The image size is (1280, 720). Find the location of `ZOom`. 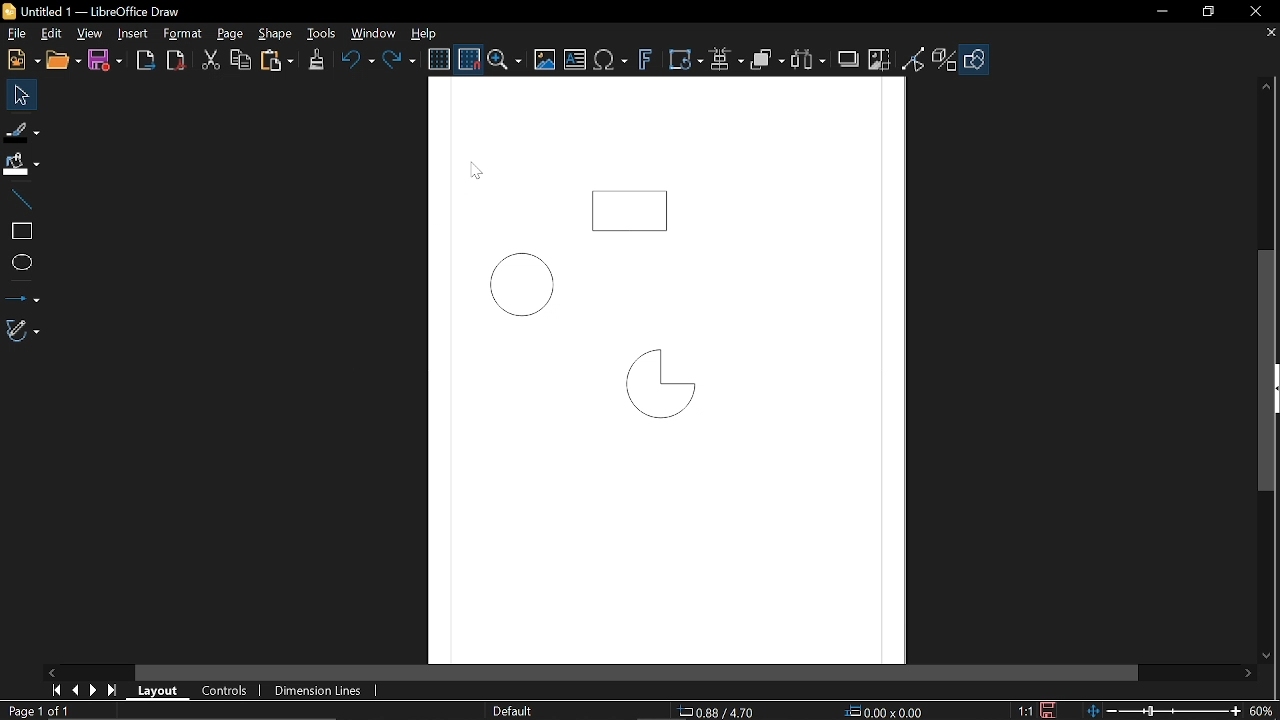

ZOom is located at coordinates (505, 59).